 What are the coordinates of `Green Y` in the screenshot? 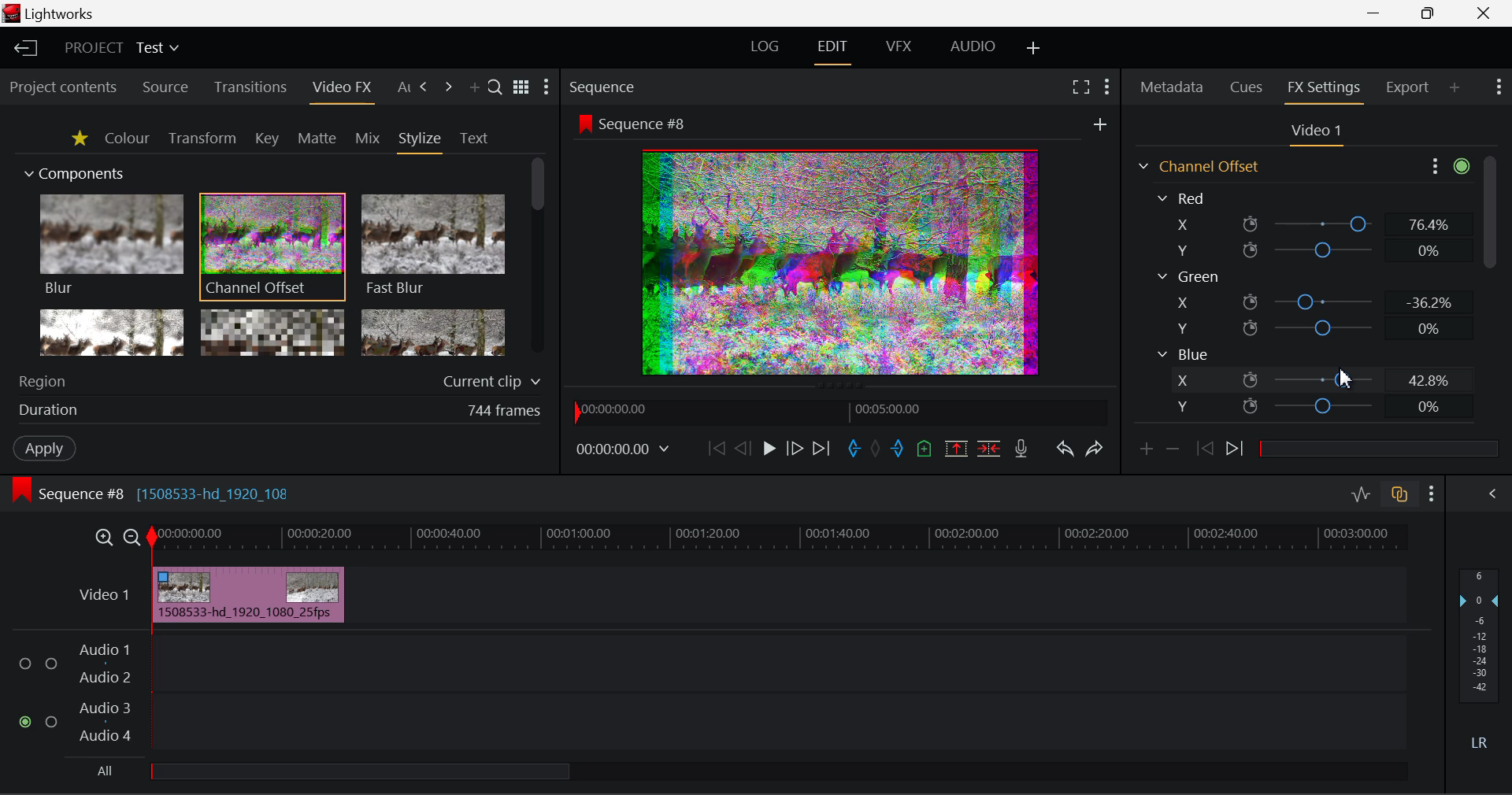 It's located at (1308, 327).